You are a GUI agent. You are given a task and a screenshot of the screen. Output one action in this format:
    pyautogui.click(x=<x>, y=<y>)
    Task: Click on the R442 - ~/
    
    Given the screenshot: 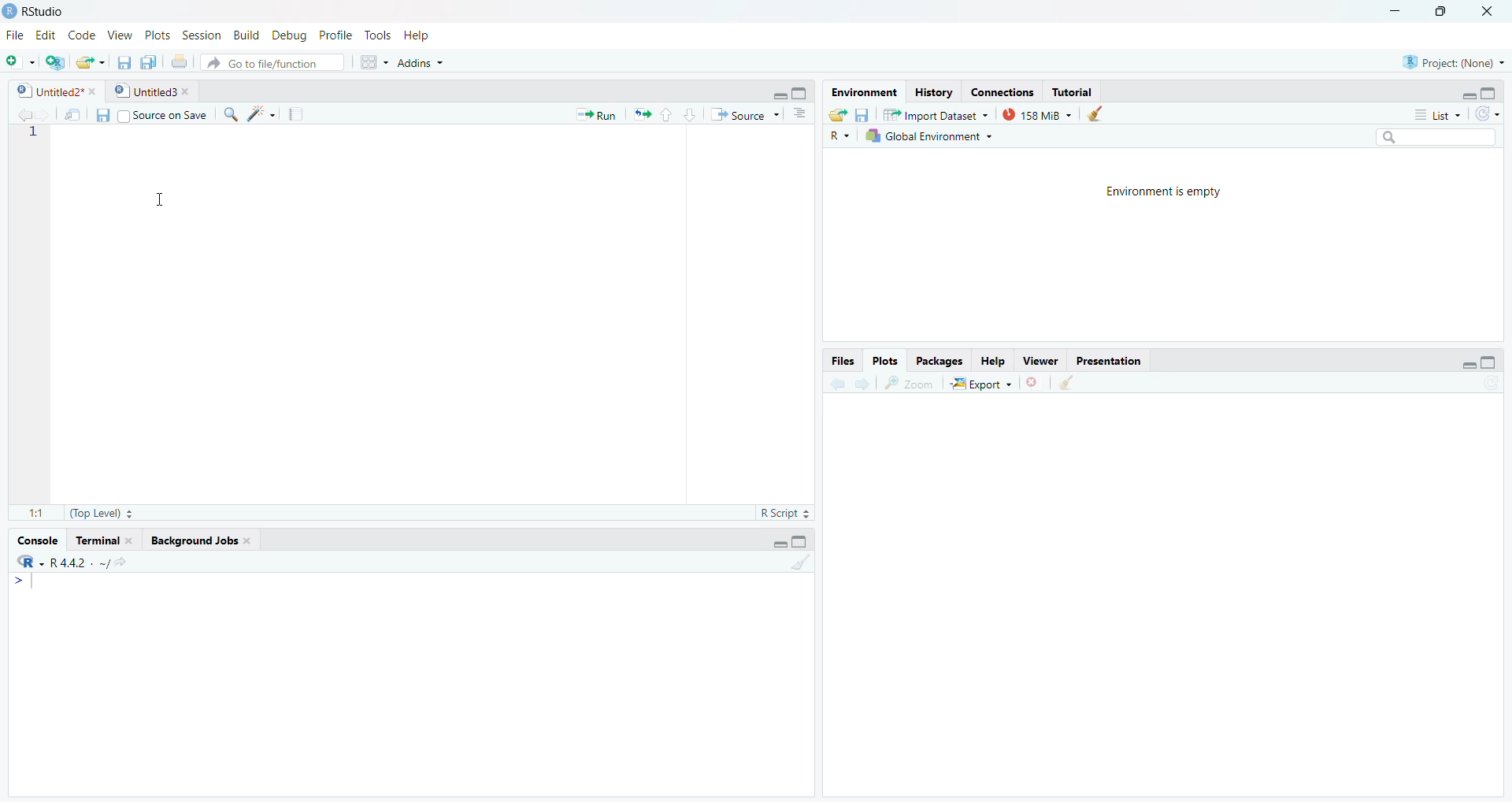 What is the action you would take?
    pyautogui.click(x=97, y=561)
    